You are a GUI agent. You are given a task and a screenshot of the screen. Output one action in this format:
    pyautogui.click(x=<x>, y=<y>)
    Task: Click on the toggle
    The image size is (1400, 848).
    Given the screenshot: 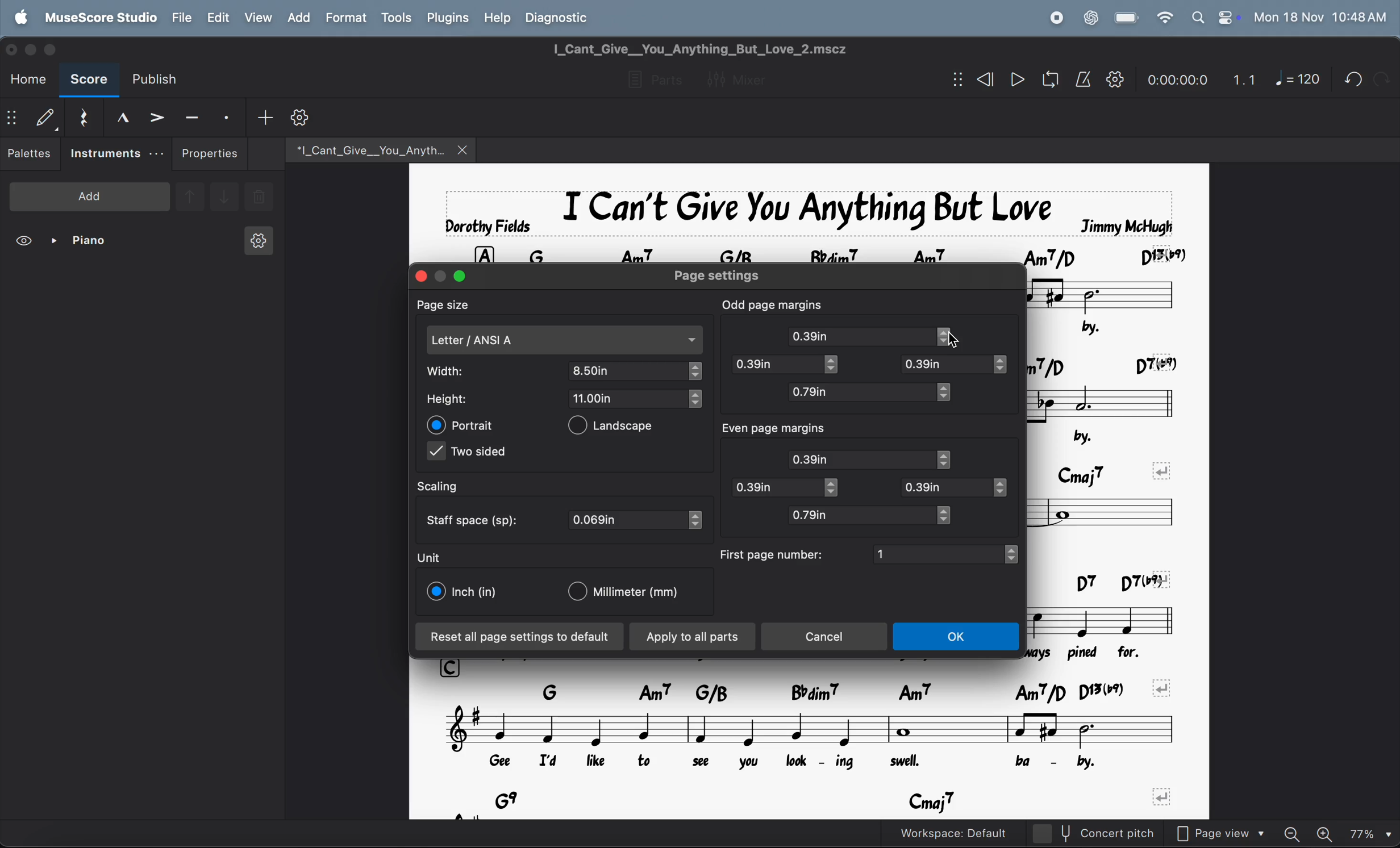 What is the action you would take?
    pyautogui.click(x=696, y=371)
    